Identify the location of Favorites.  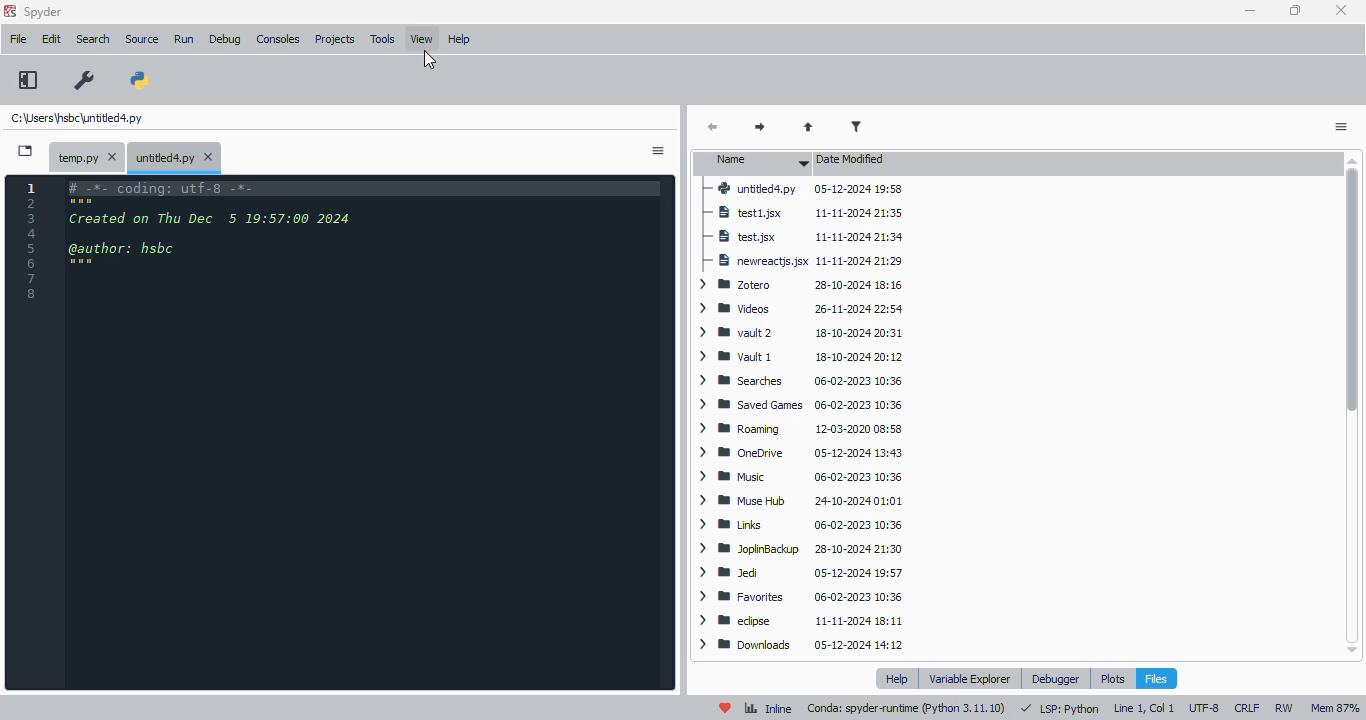
(801, 598).